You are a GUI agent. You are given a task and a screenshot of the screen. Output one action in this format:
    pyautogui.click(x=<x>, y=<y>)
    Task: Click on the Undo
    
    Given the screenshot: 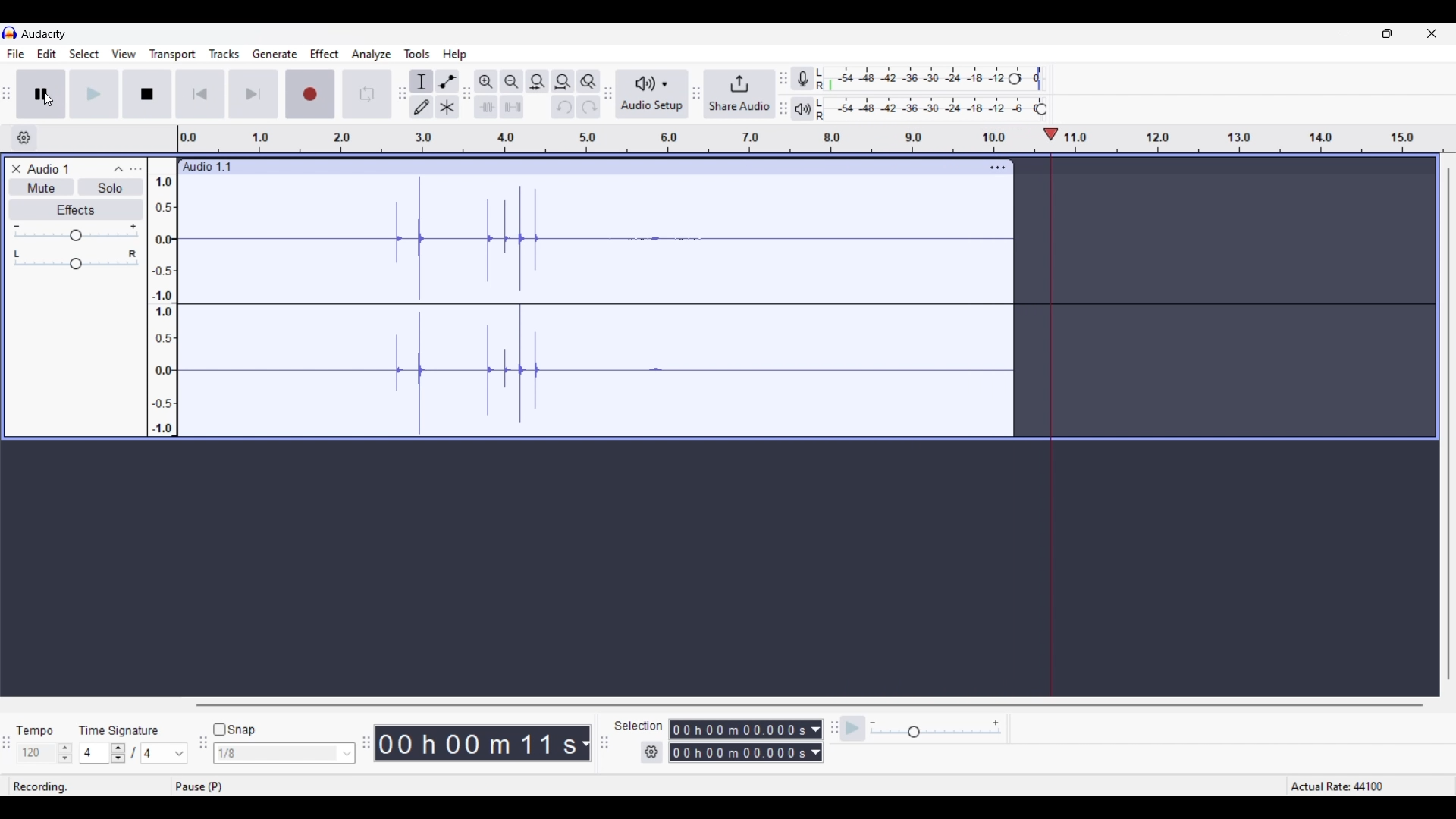 What is the action you would take?
    pyautogui.click(x=563, y=106)
    